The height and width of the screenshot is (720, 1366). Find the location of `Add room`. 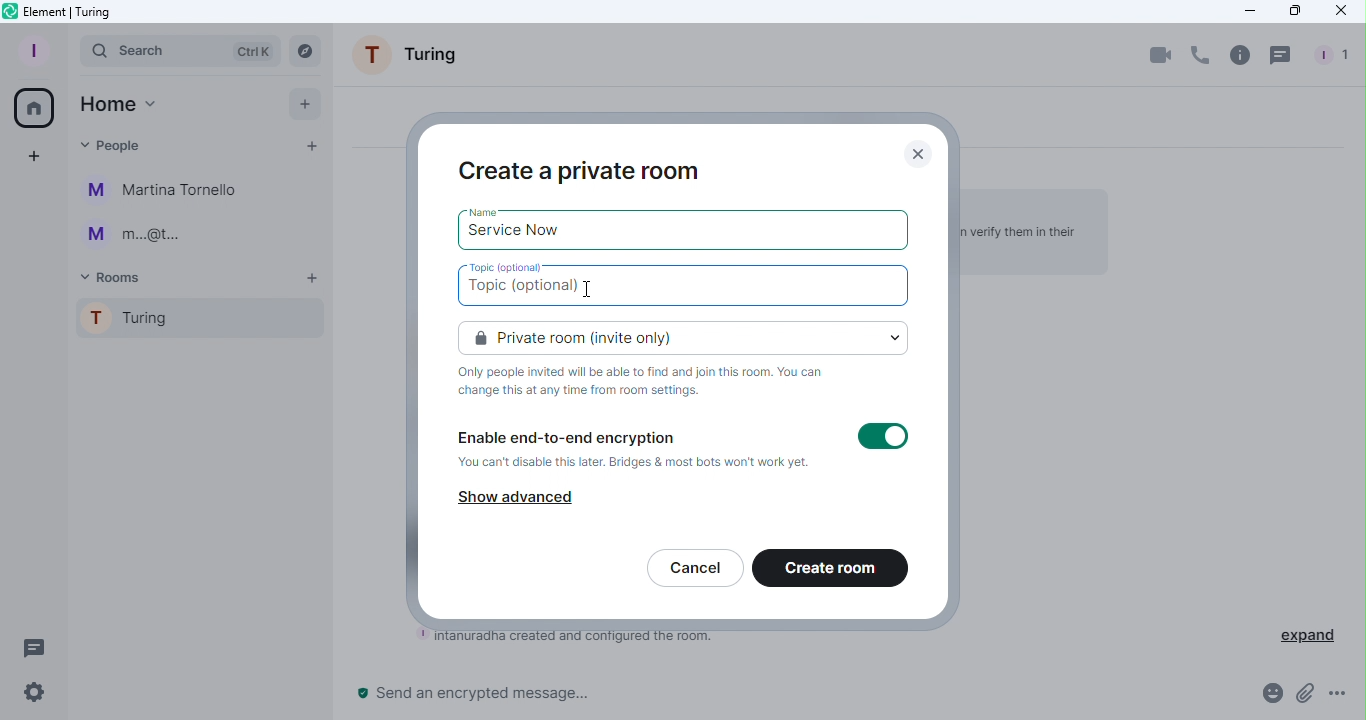

Add room is located at coordinates (314, 279).